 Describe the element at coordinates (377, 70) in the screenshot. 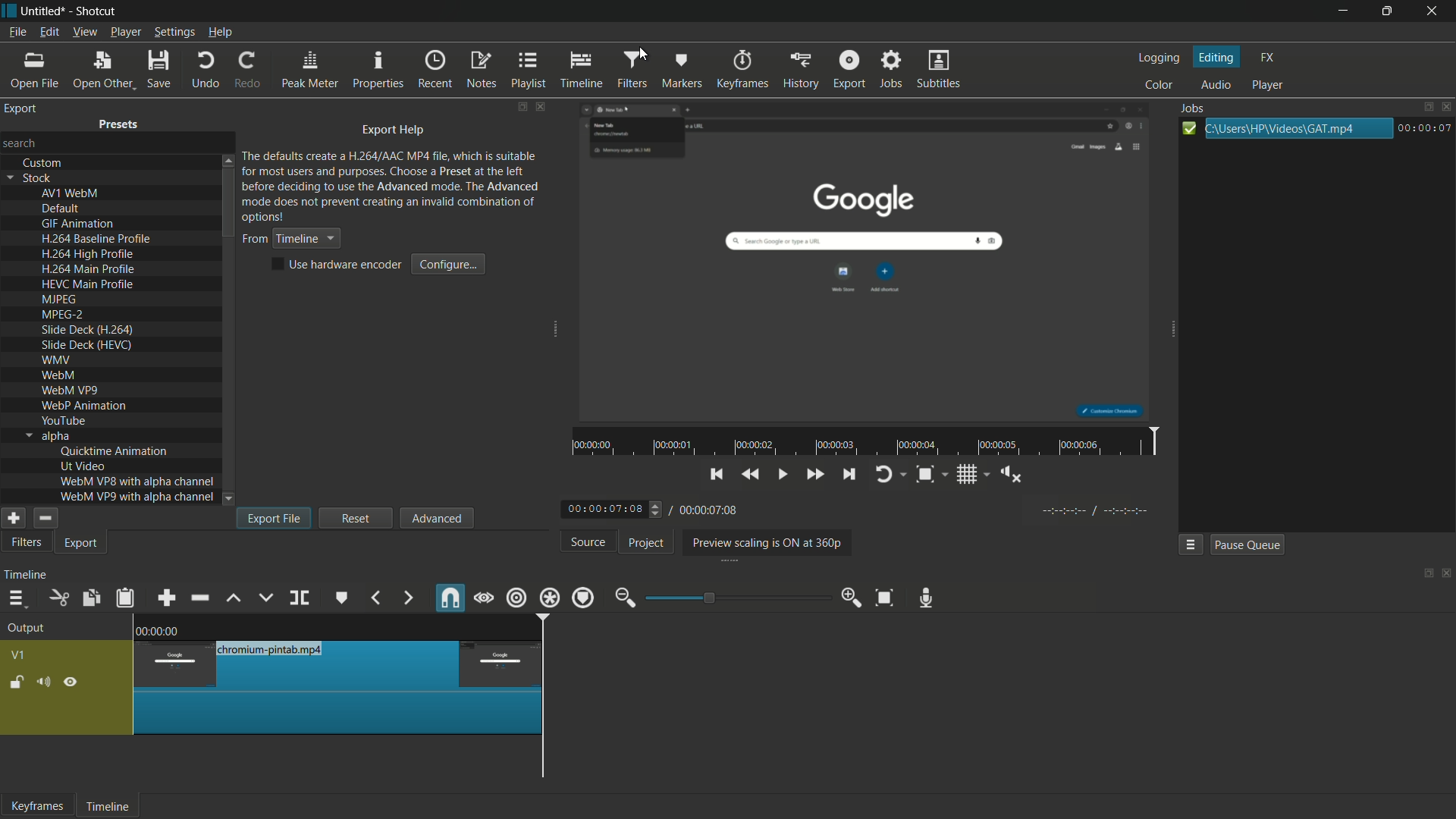

I see `properties` at that location.